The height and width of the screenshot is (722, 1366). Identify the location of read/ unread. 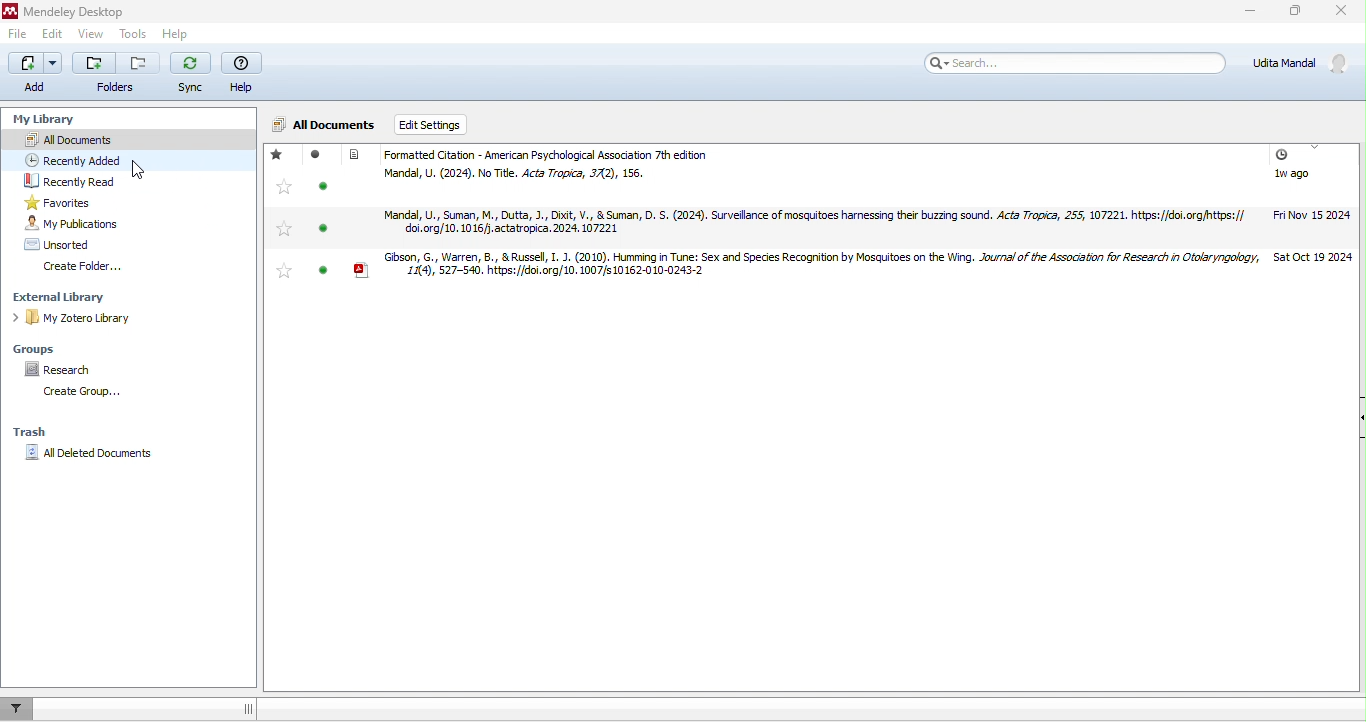
(317, 155).